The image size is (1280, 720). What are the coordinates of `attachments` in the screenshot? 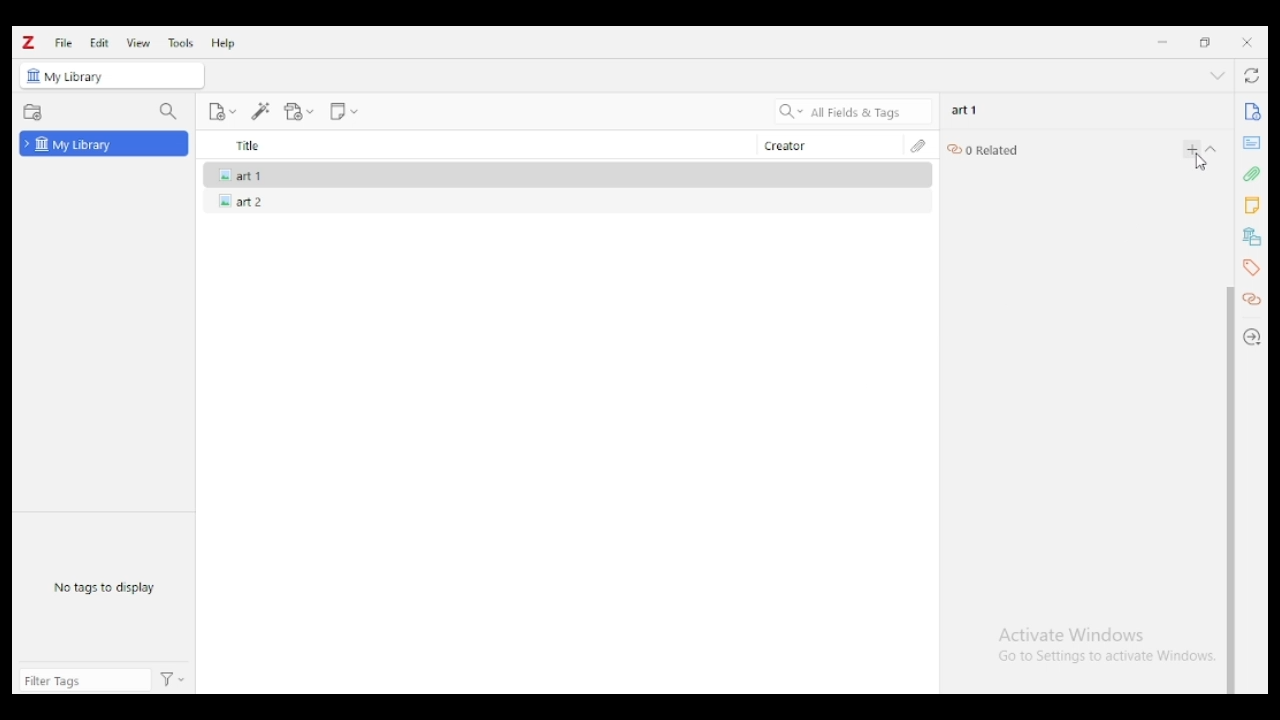 It's located at (918, 145).